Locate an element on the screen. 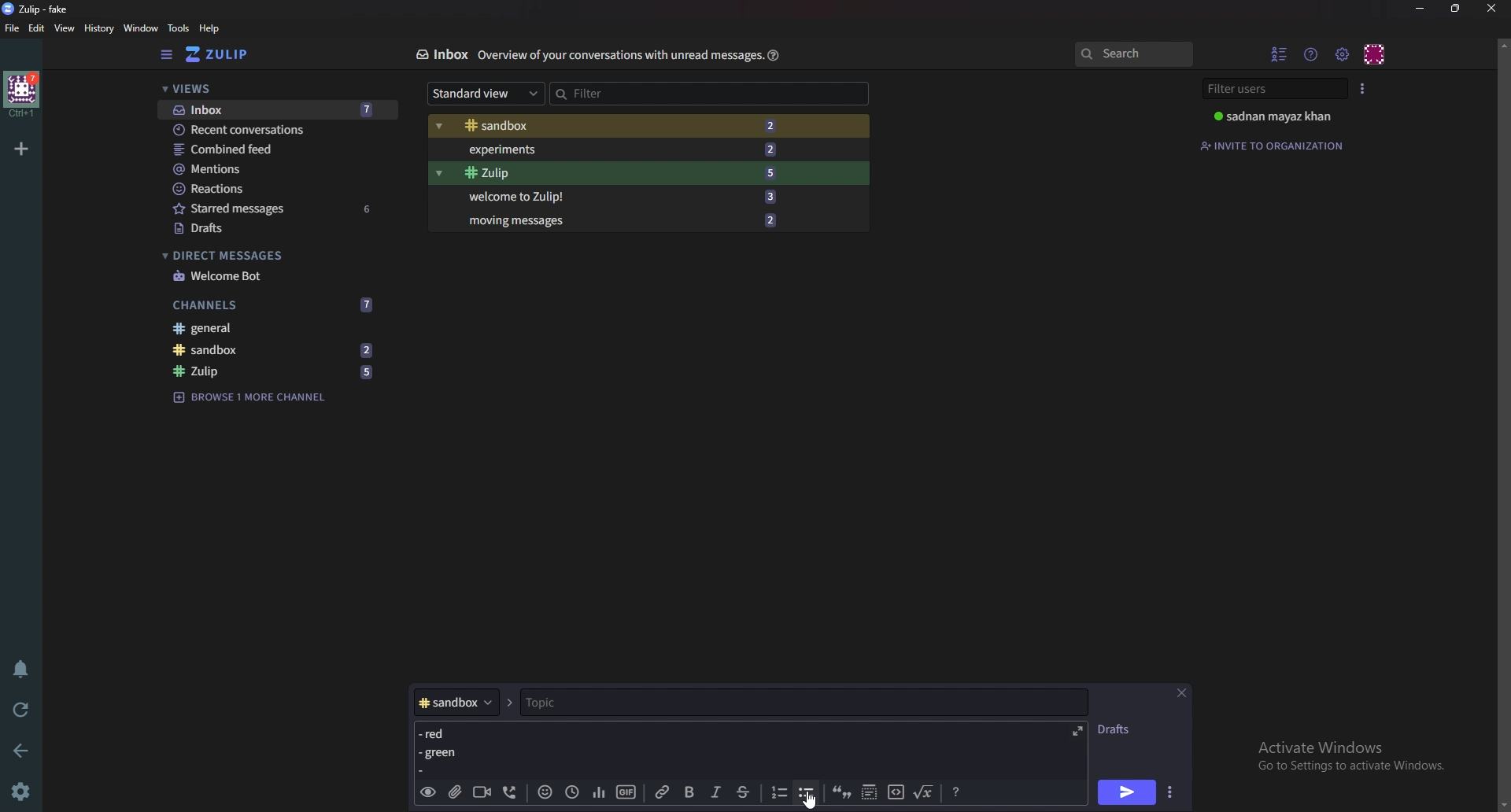 This screenshot has height=812, width=1511. title is located at coordinates (43, 9).